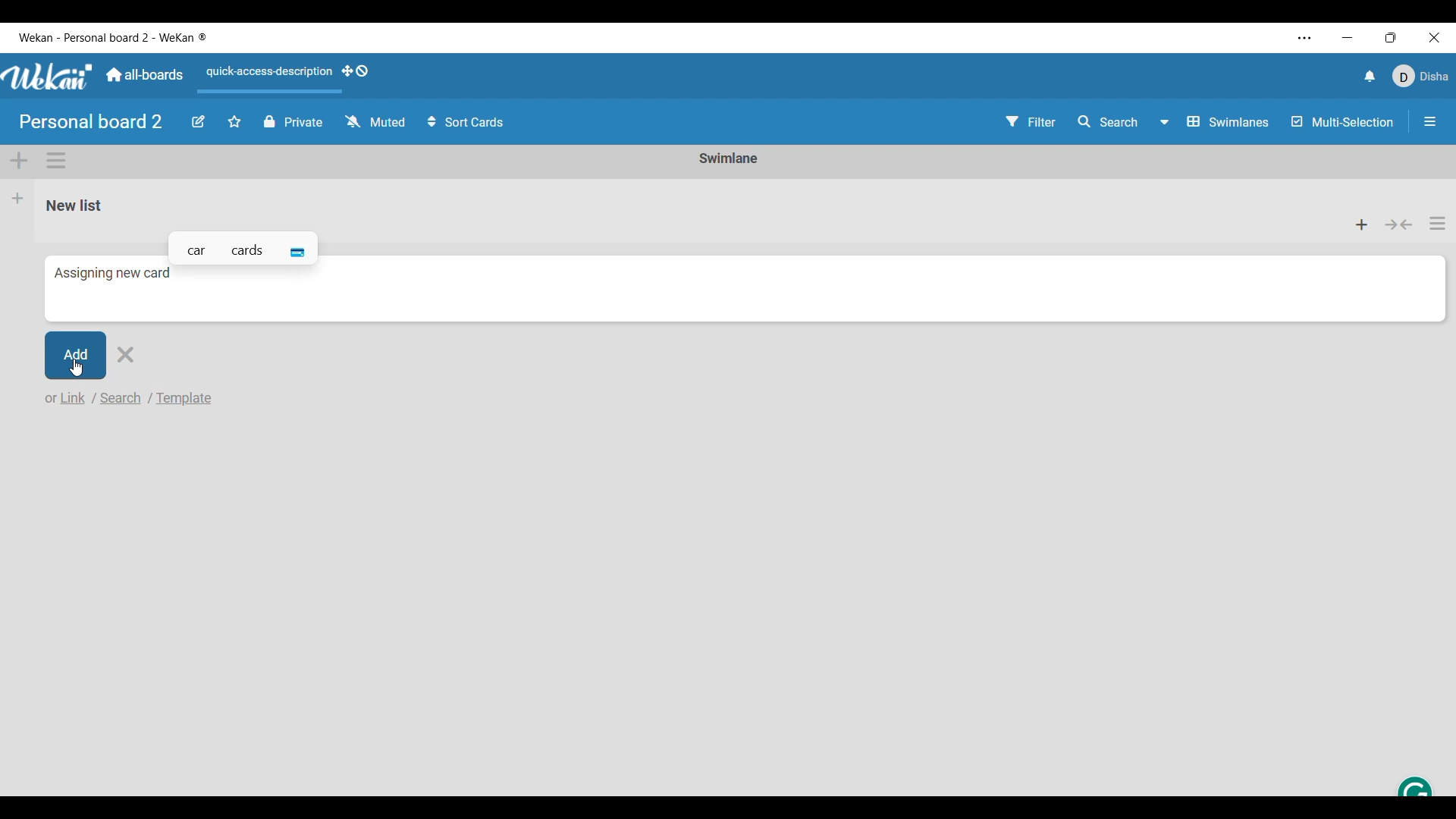 The image size is (1456, 819). What do you see at coordinates (243, 246) in the screenshot?
I see `Suggestions for card name` at bounding box center [243, 246].